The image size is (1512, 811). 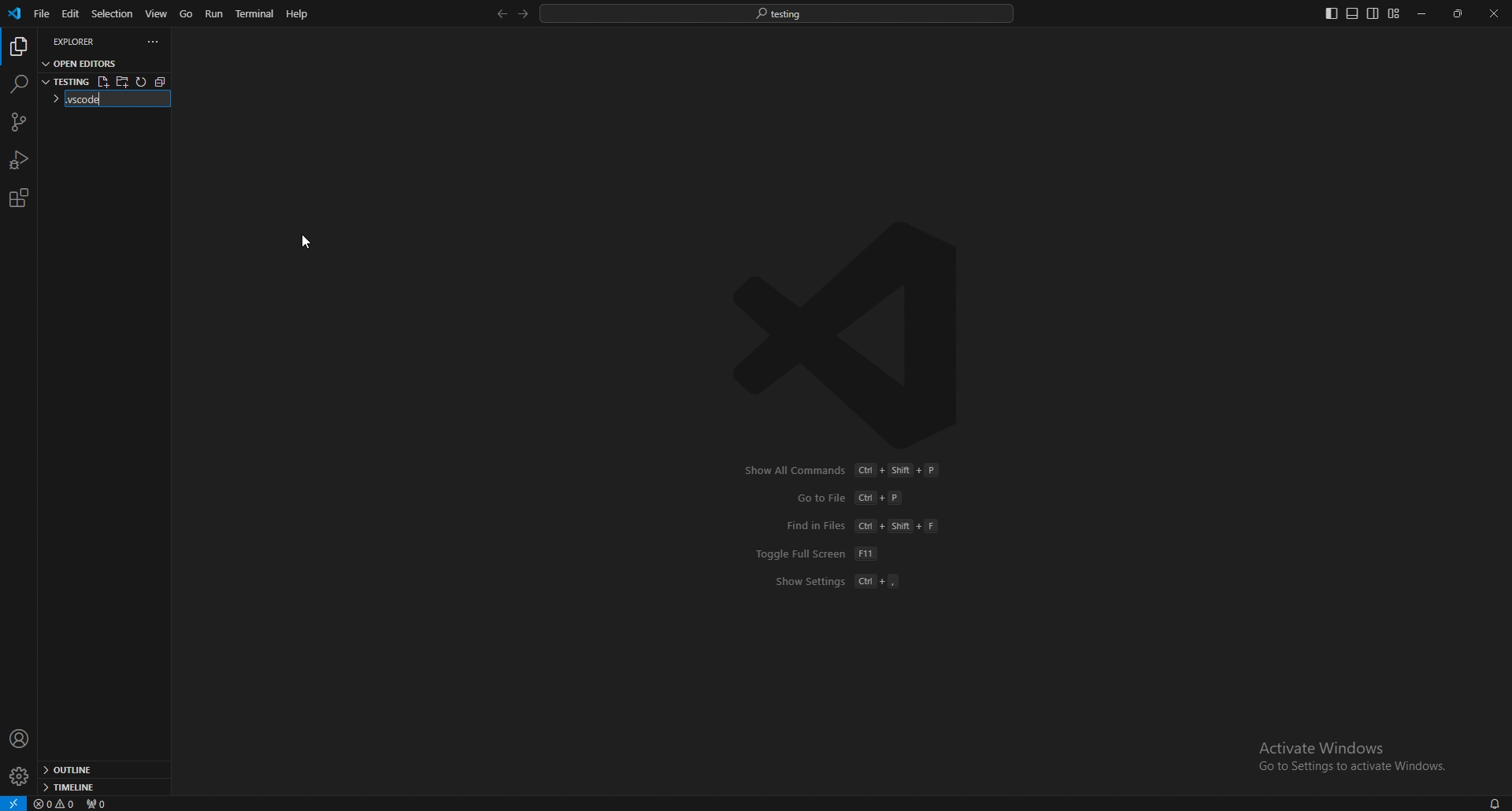 What do you see at coordinates (99, 787) in the screenshot?
I see `timeline` at bounding box center [99, 787].